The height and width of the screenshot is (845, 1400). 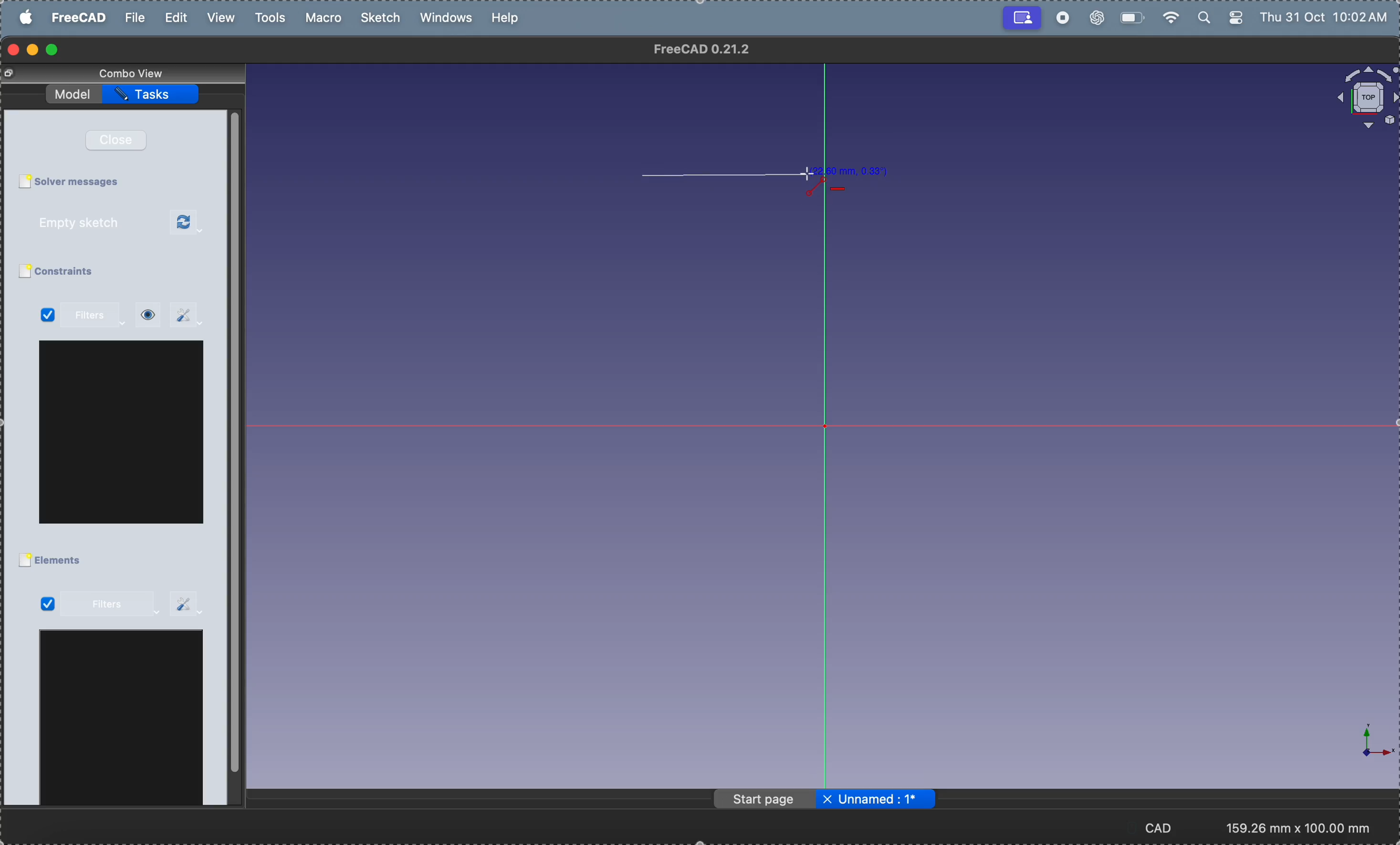 What do you see at coordinates (122, 721) in the screenshot?
I see `window` at bounding box center [122, 721].